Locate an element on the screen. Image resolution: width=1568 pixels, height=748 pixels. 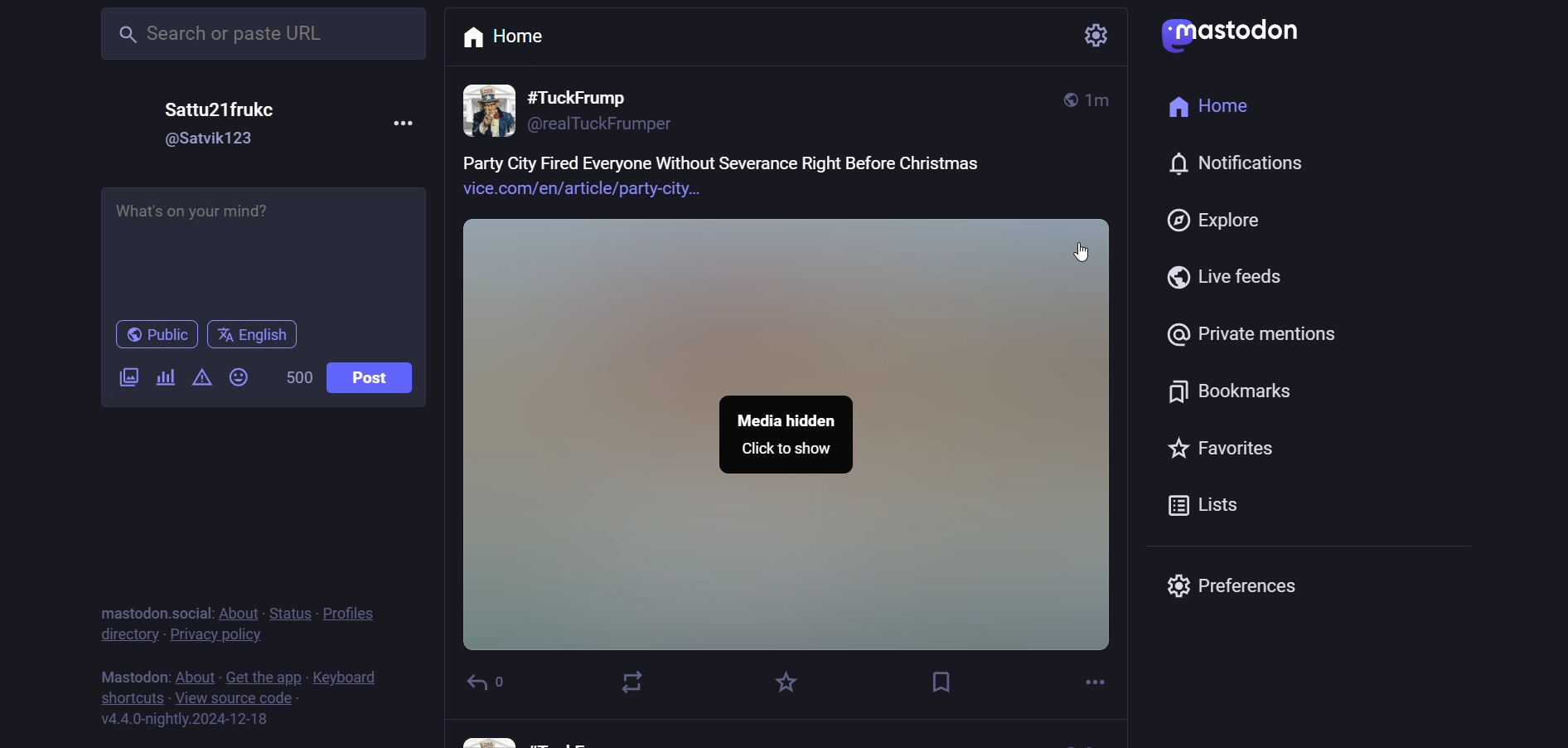
Public is located at coordinates (158, 334).